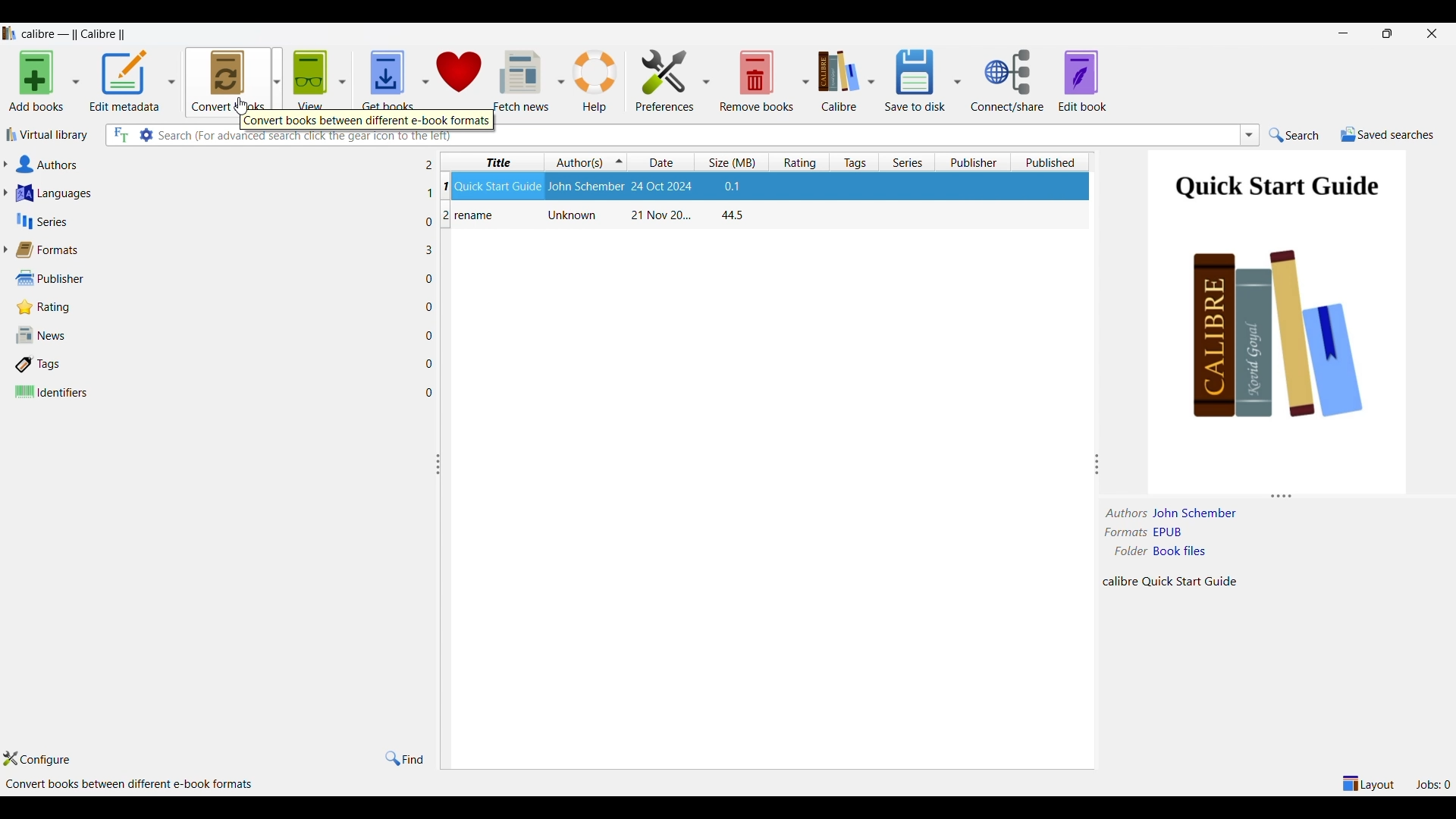 This screenshot has height=819, width=1456. What do you see at coordinates (217, 365) in the screenshot?
I see `Tags` at bounding box center [217, 365].